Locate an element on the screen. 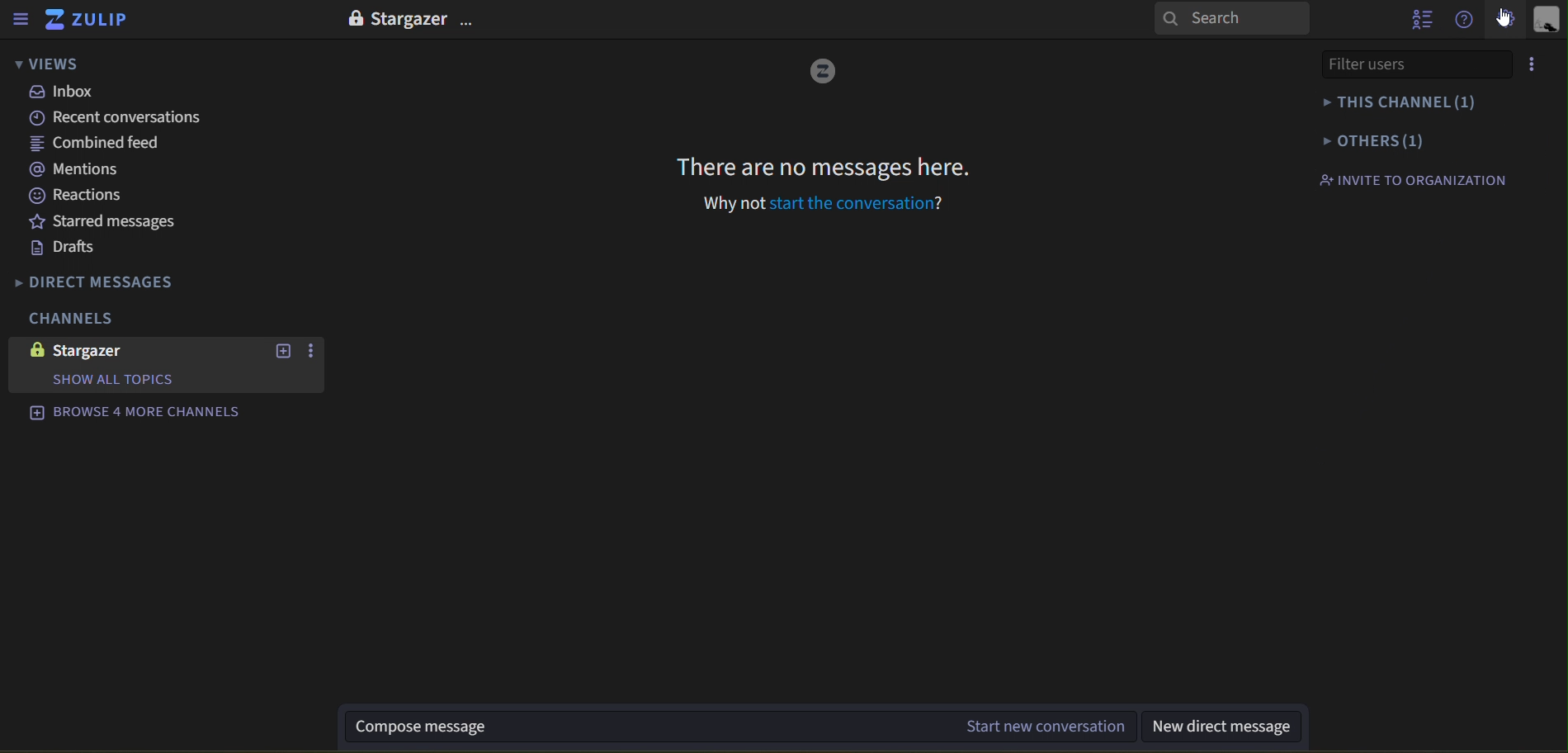  mentions is located at coordinates (73, 171).